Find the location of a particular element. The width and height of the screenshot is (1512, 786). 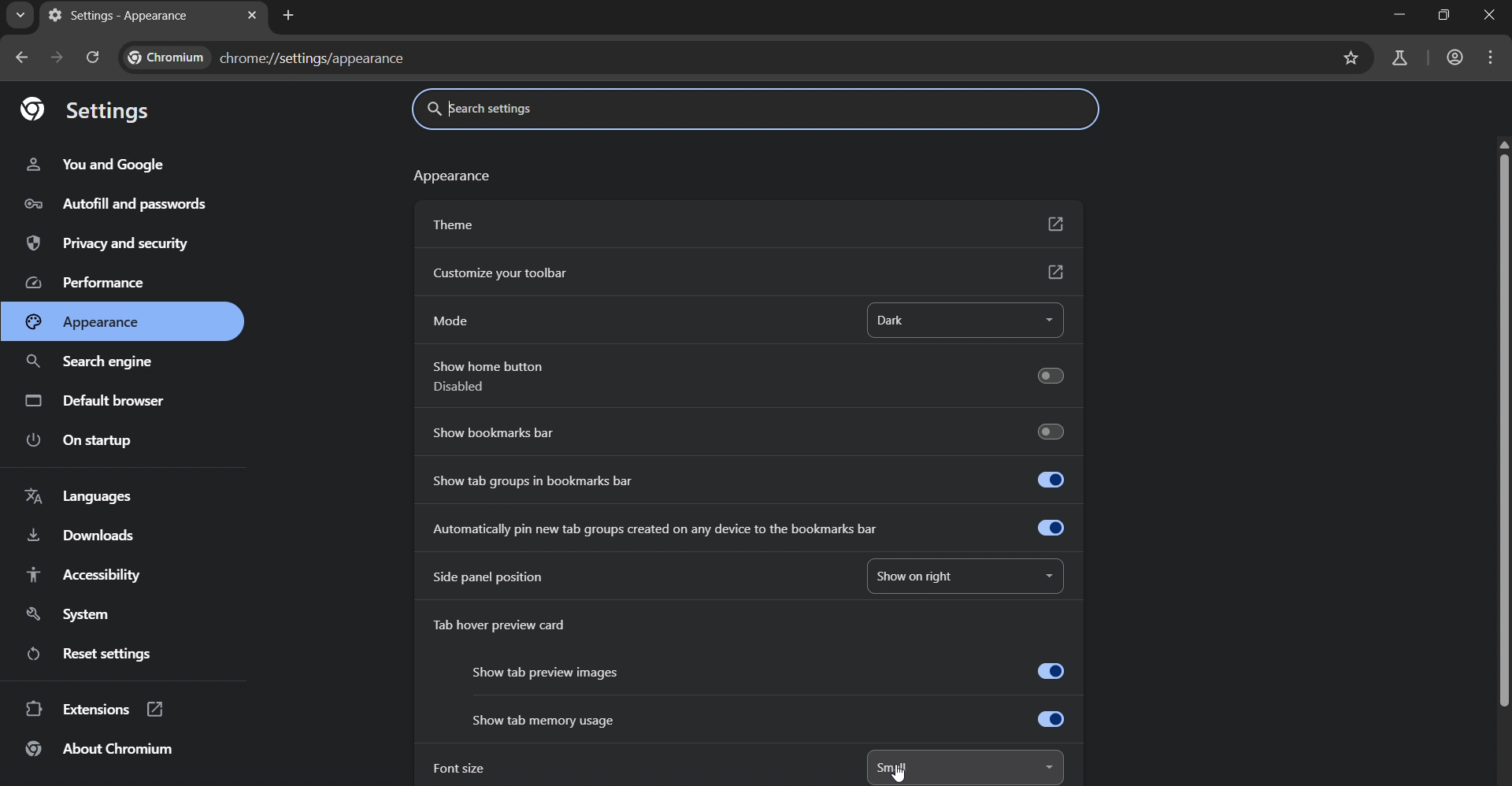

close is located at coordinates (1492, 14).